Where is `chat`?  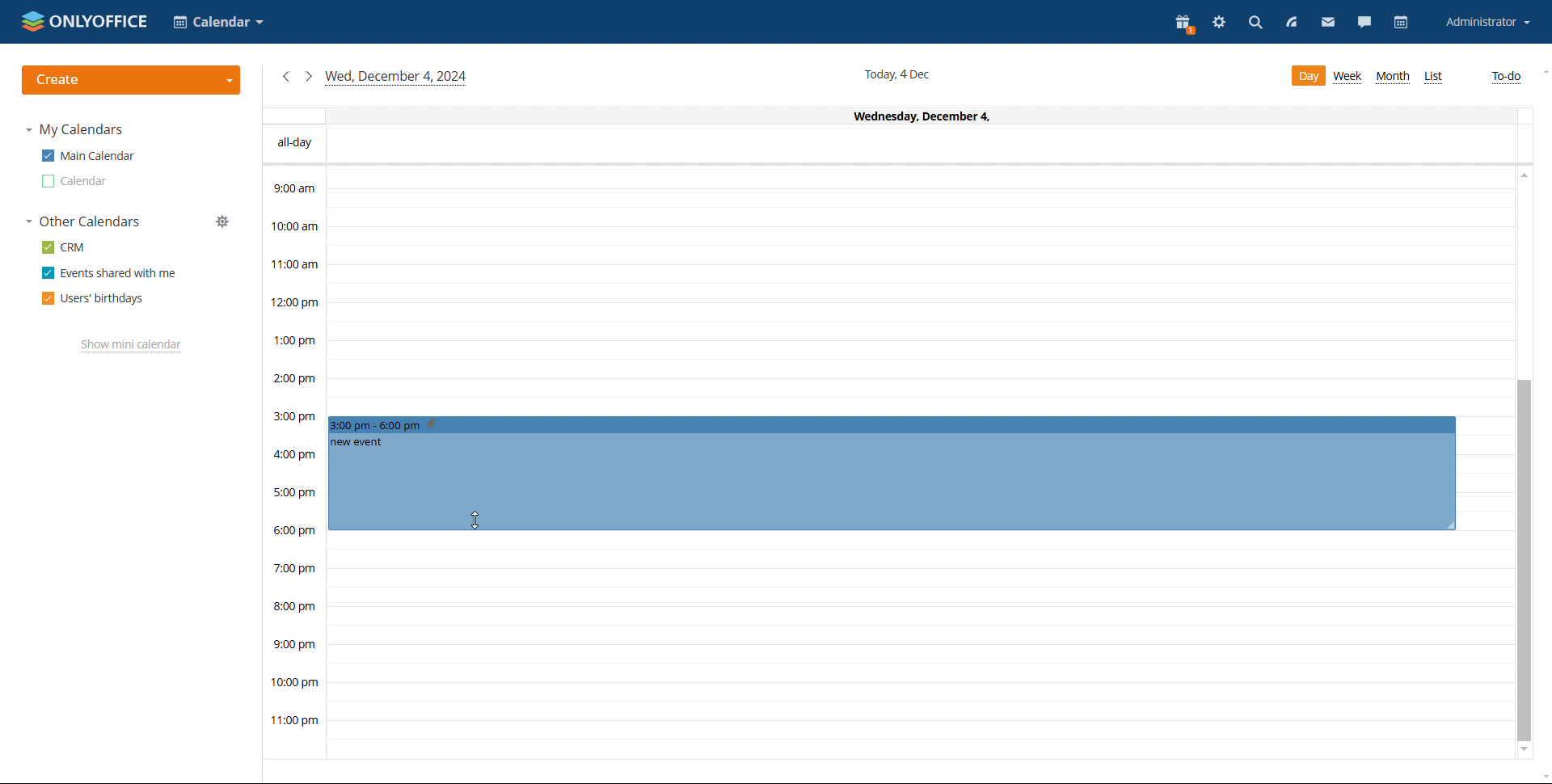
chat is located at coordinates (1365, 22).